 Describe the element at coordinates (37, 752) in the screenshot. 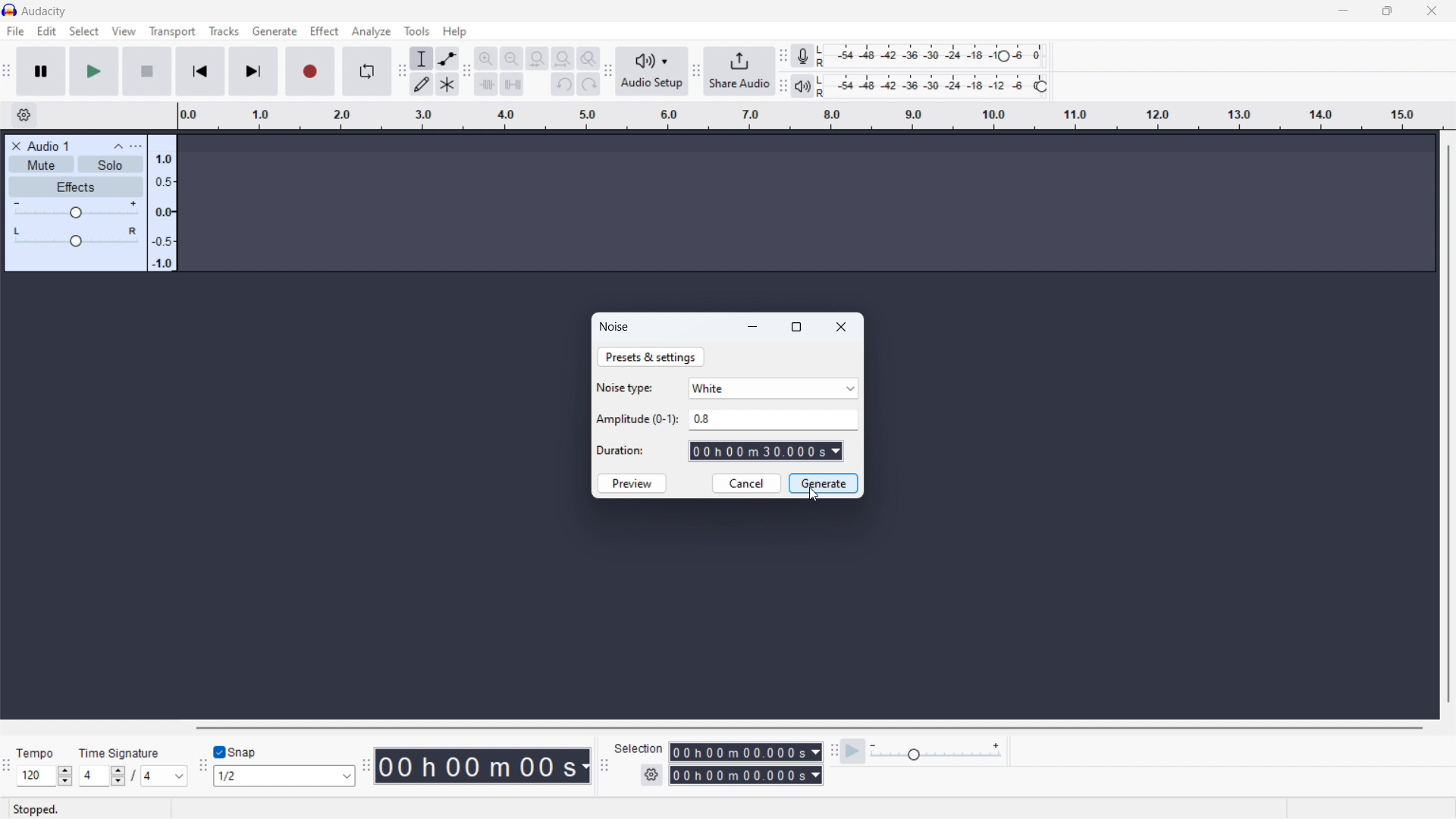

I see `Time` at that location.